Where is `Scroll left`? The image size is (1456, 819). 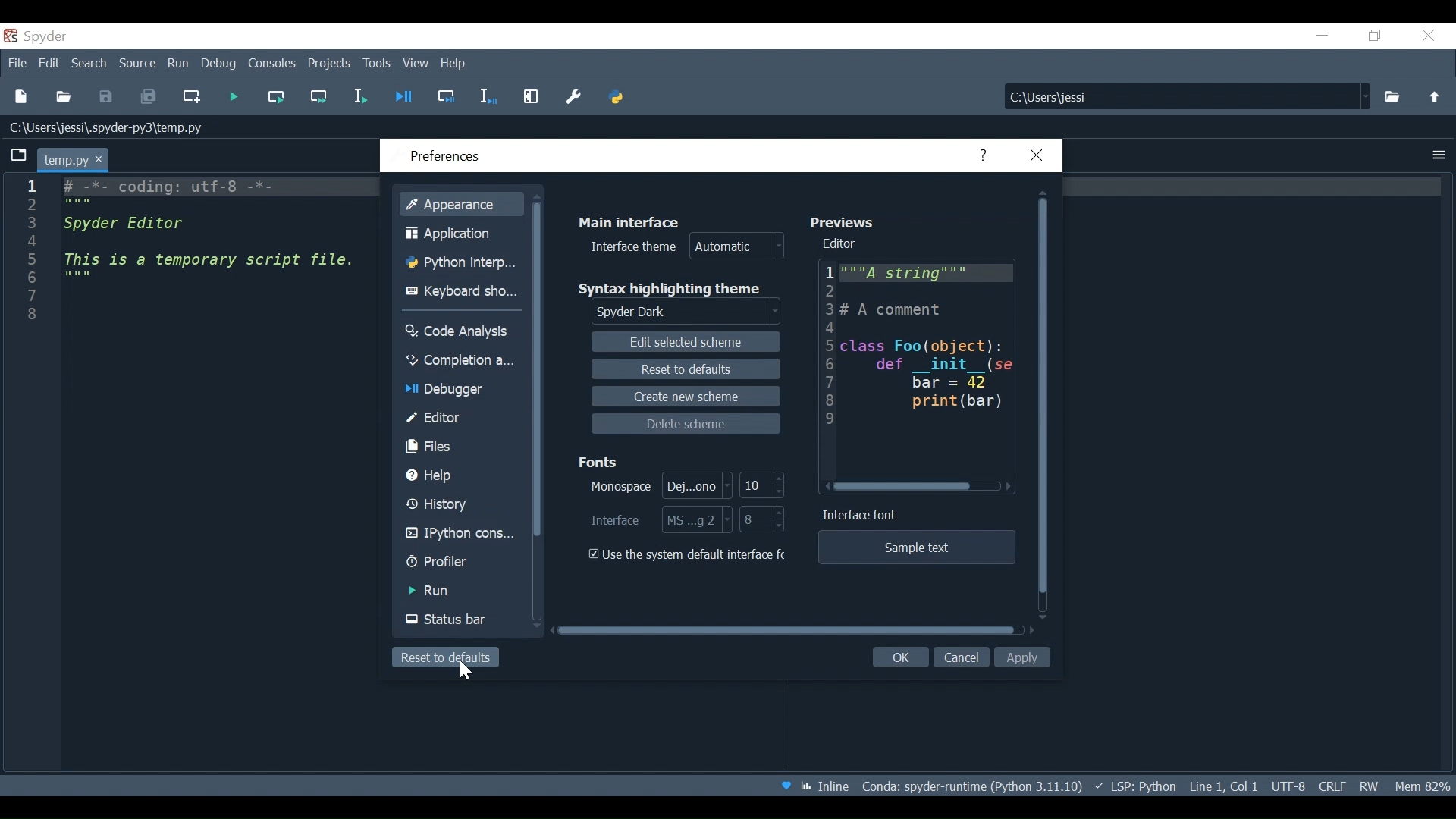 Scroll left is located at coordinates (827, 485).